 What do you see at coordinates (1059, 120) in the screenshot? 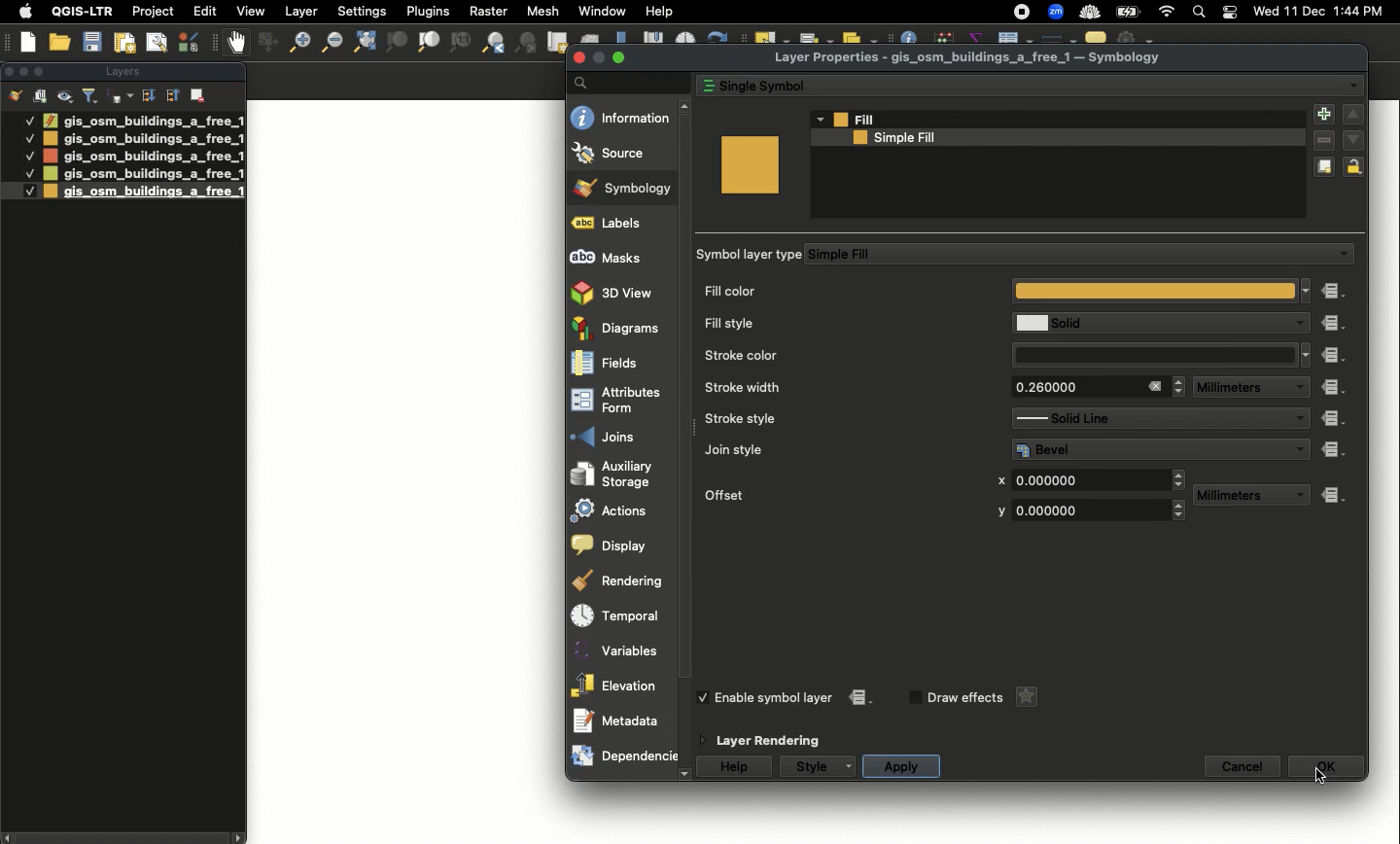
I see `Fill` at bounding box center [1059, 120].